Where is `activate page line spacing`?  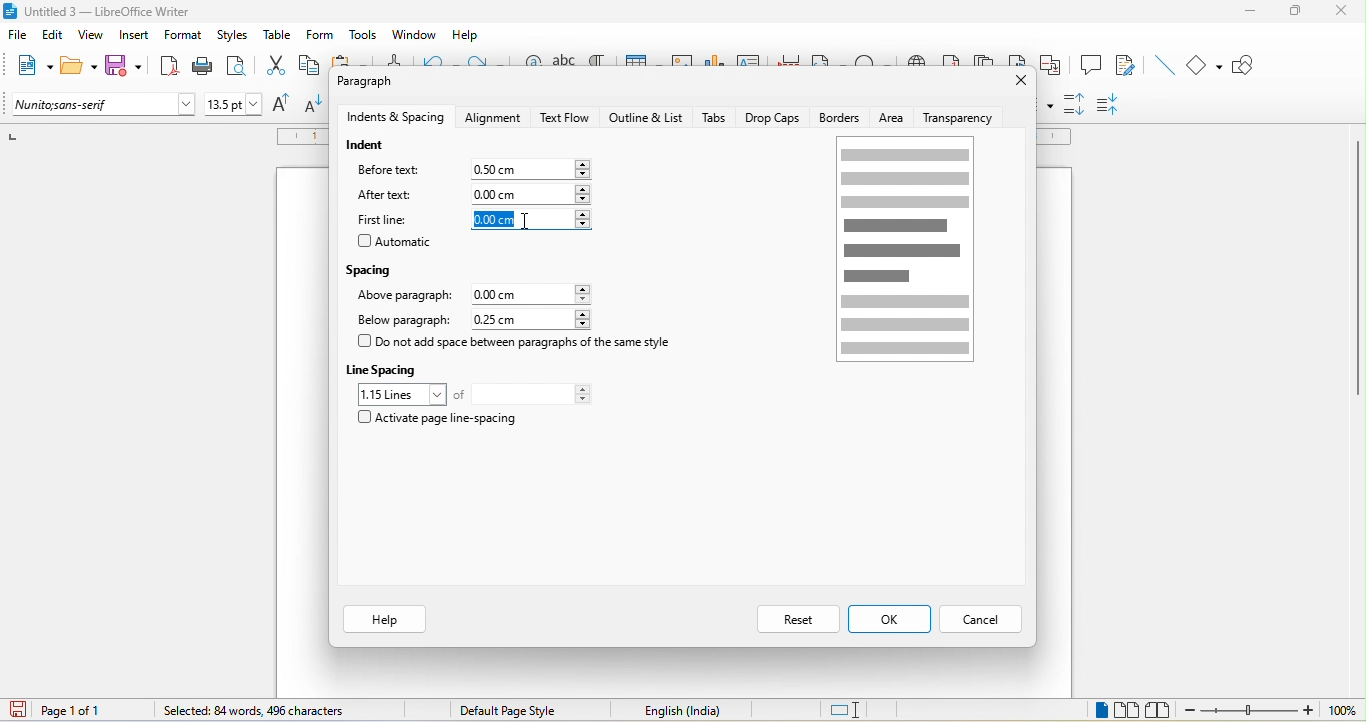
activate page line spacing is located at coordinates (450, 420).